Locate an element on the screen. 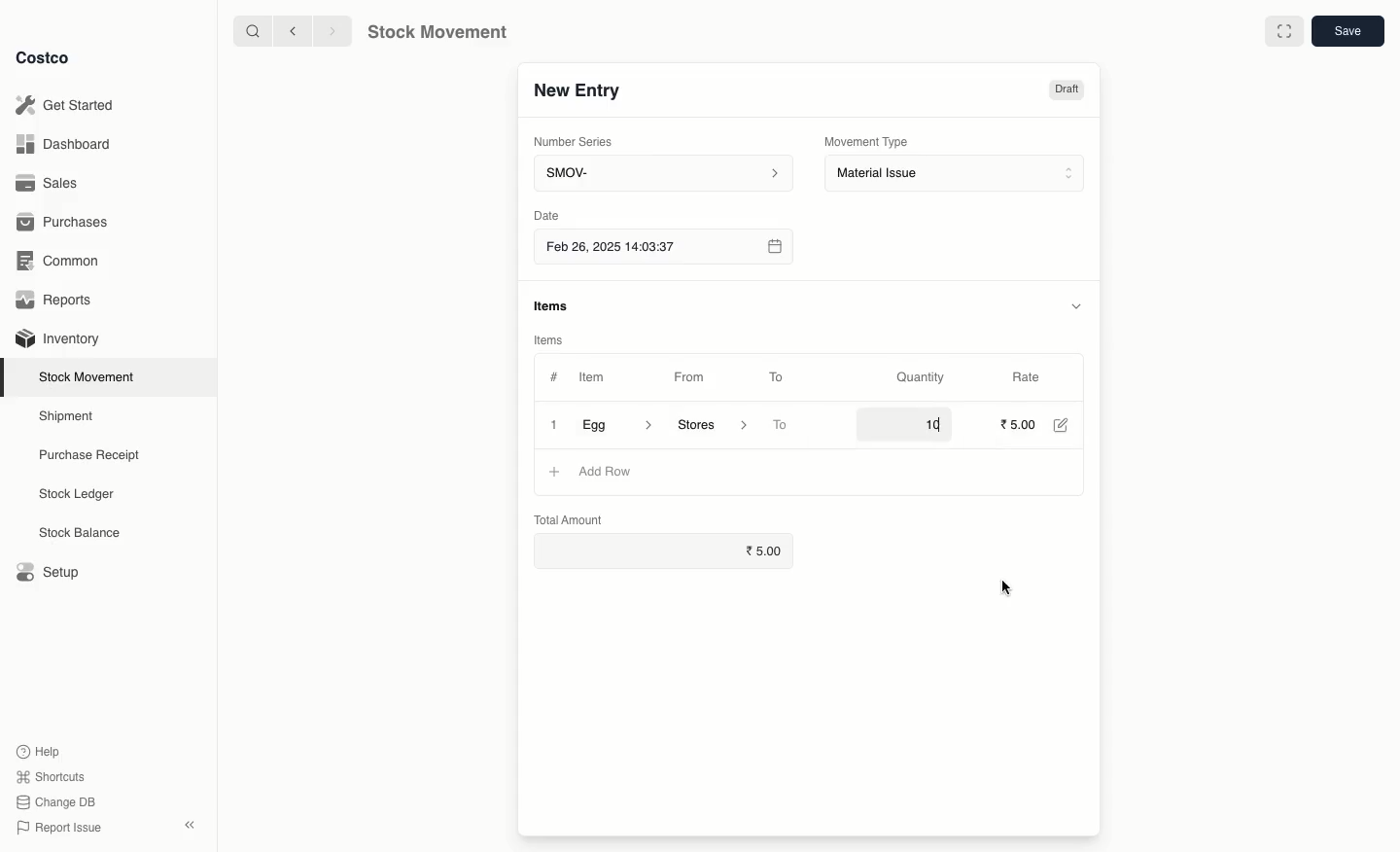 The width and height of the screenshot is (1400, 852). Edit is located at coordinates (1066, 427).